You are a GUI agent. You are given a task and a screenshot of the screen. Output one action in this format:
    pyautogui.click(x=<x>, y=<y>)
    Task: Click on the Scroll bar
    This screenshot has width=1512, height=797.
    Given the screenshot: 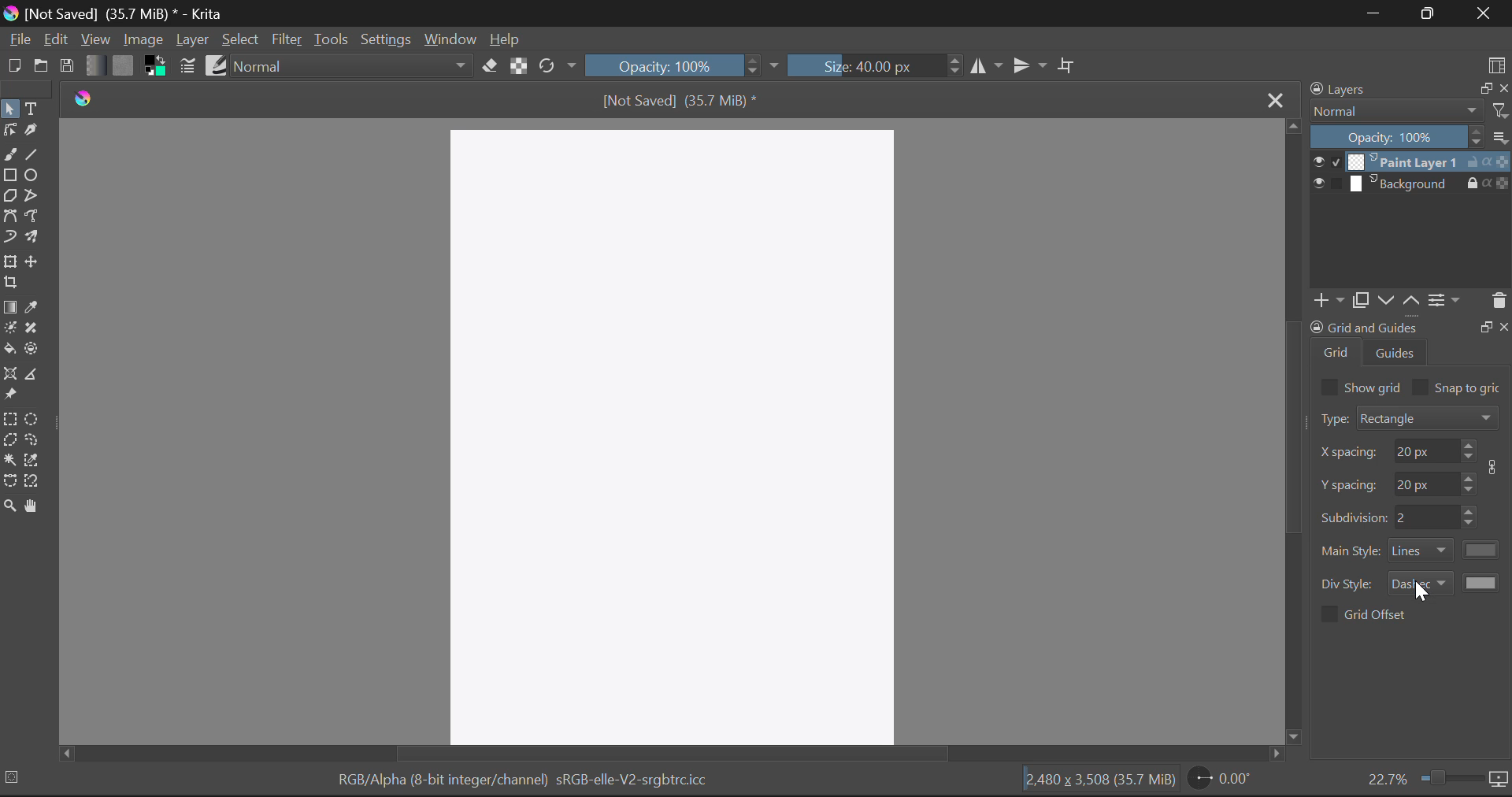 What is the action you would take?
    pyautogui.click(x=1294, y=432)
    